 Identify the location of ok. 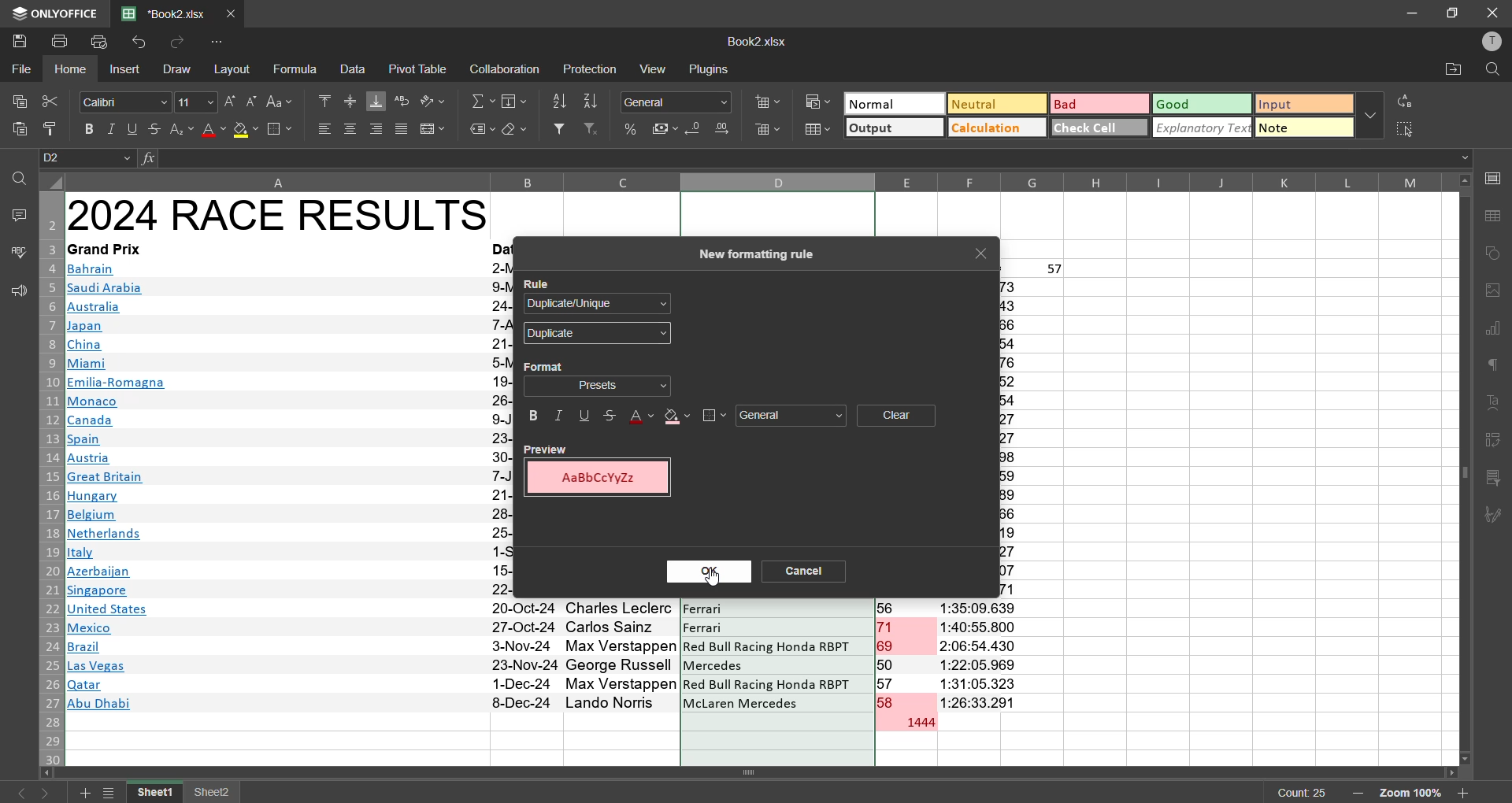
(709, 574).